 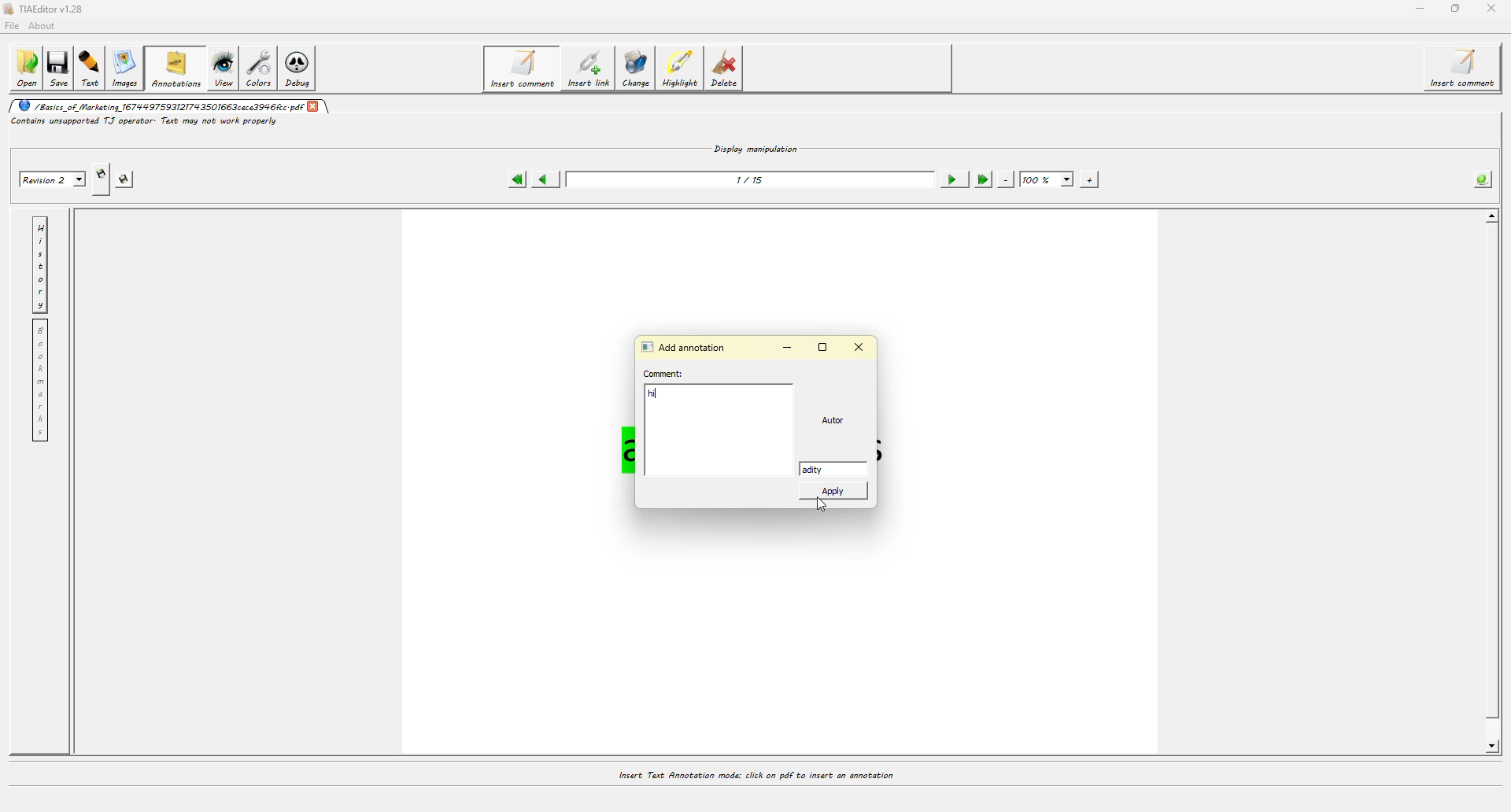 What do you see at coordinates (158, 105) in the screenshot?
I see `/Basics of Marketing 167999759312T793501663cece3996c.pdf` at bounding box center [158, 105].